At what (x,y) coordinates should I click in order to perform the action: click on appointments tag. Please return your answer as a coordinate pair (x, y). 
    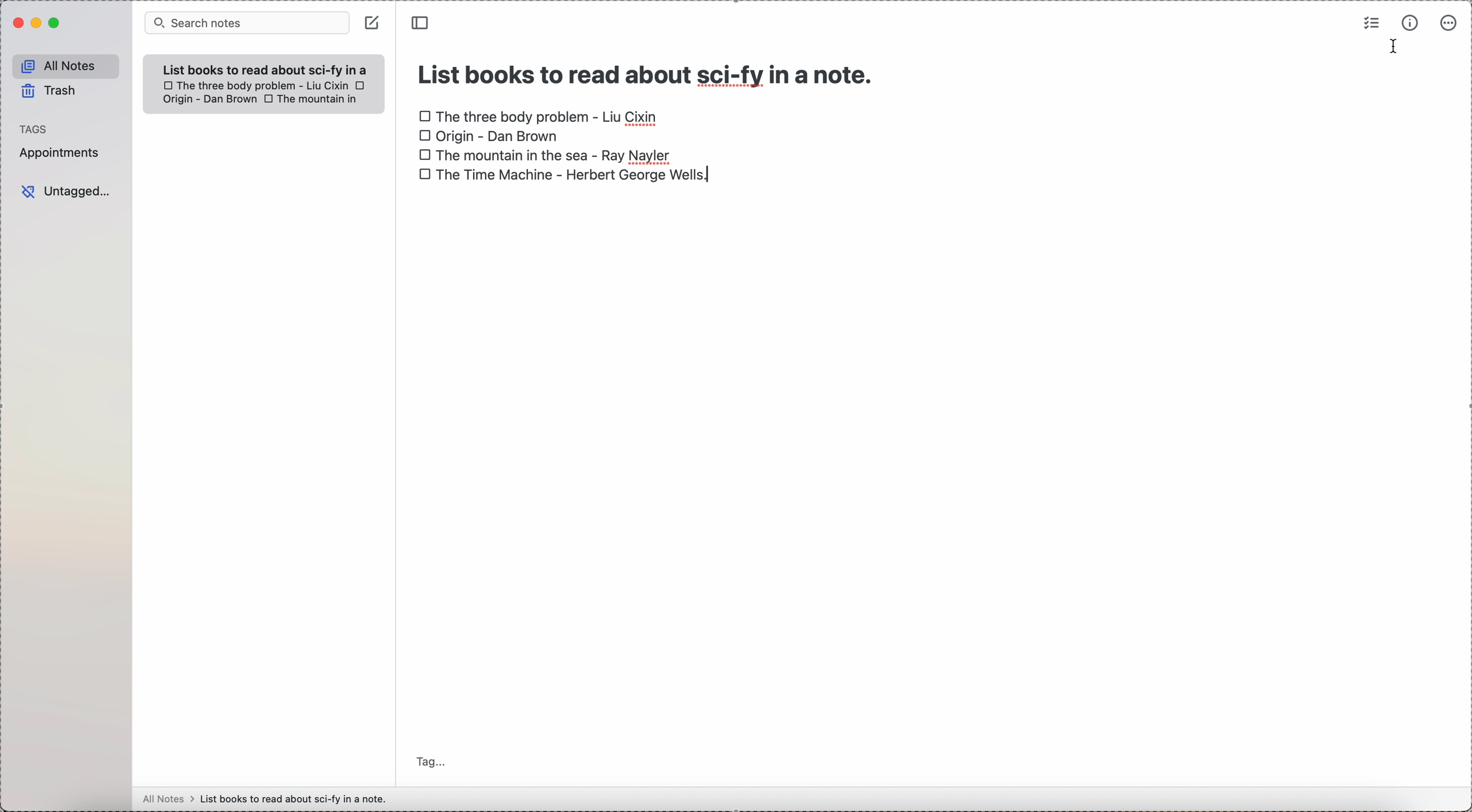
    Looking at the image, I should click on (60, 154).